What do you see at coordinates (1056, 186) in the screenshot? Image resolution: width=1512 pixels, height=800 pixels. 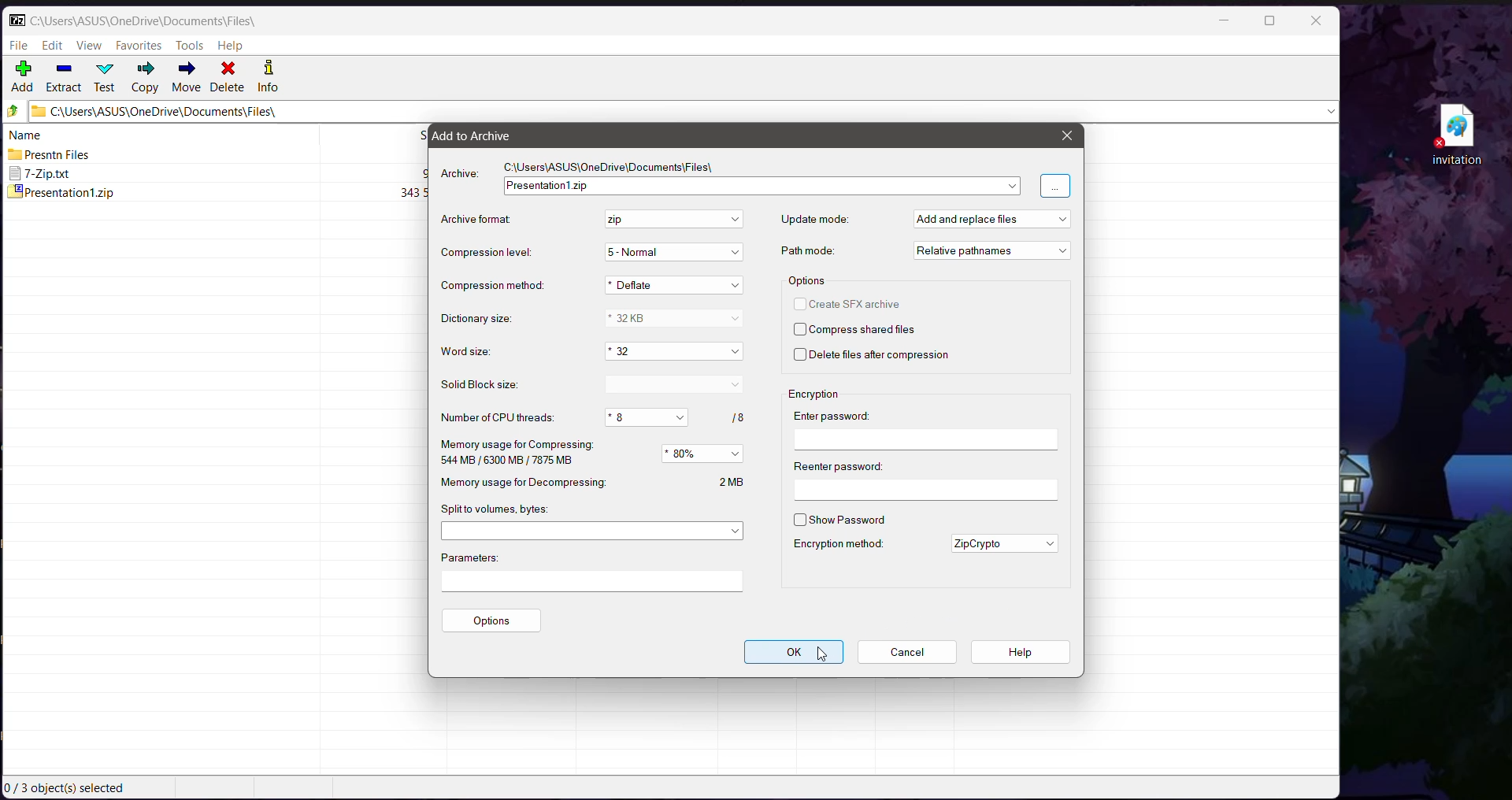 I see `Click to Browse for more locations` at bounding box center [1056, 186].